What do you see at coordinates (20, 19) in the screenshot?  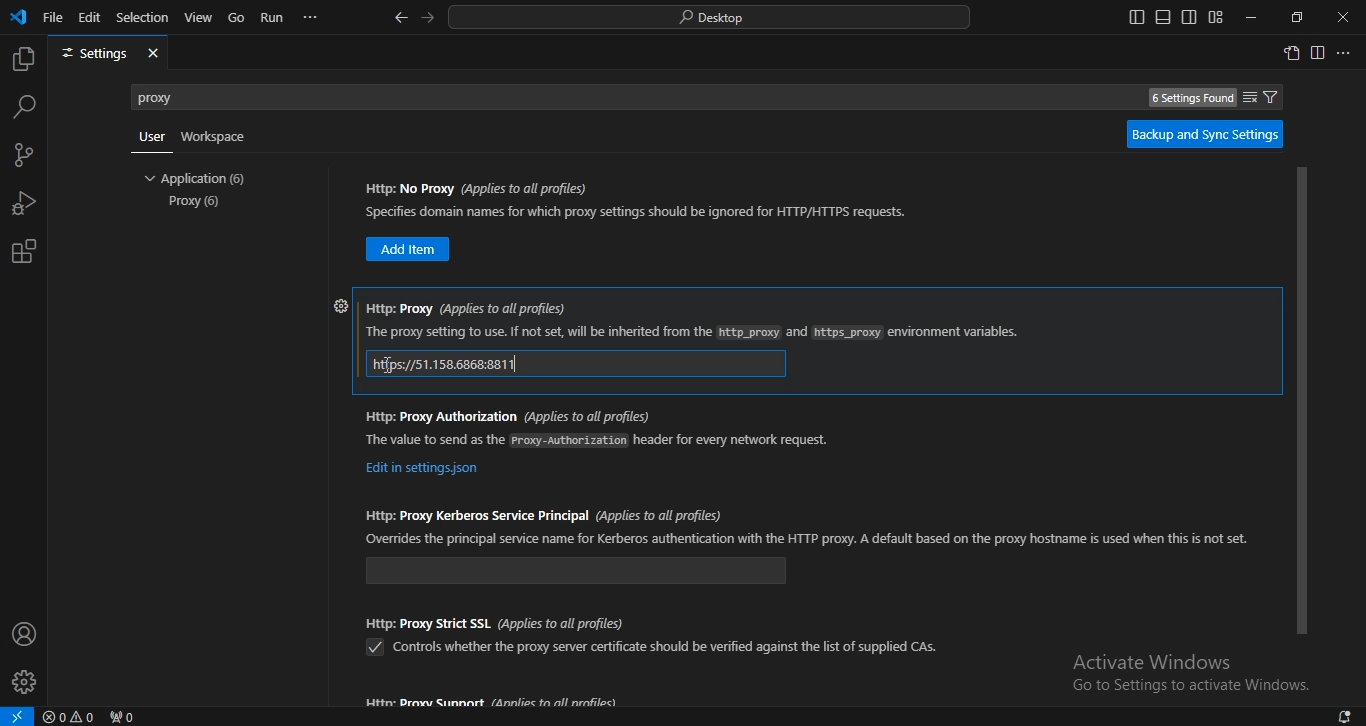 I see `icon` at bounding box center [20, 19].